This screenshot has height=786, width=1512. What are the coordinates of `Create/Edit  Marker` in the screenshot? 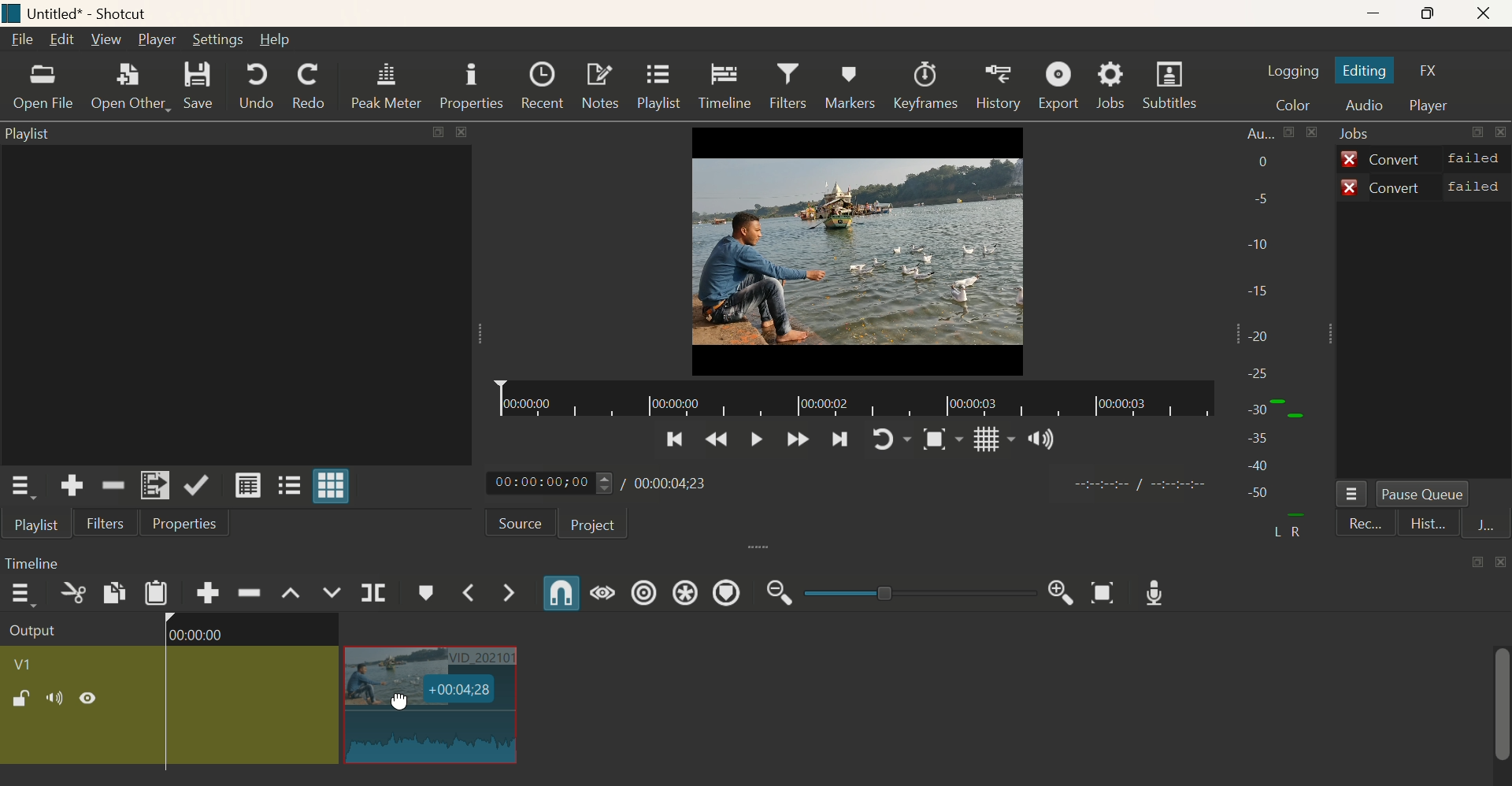 It's located at (427, 595).